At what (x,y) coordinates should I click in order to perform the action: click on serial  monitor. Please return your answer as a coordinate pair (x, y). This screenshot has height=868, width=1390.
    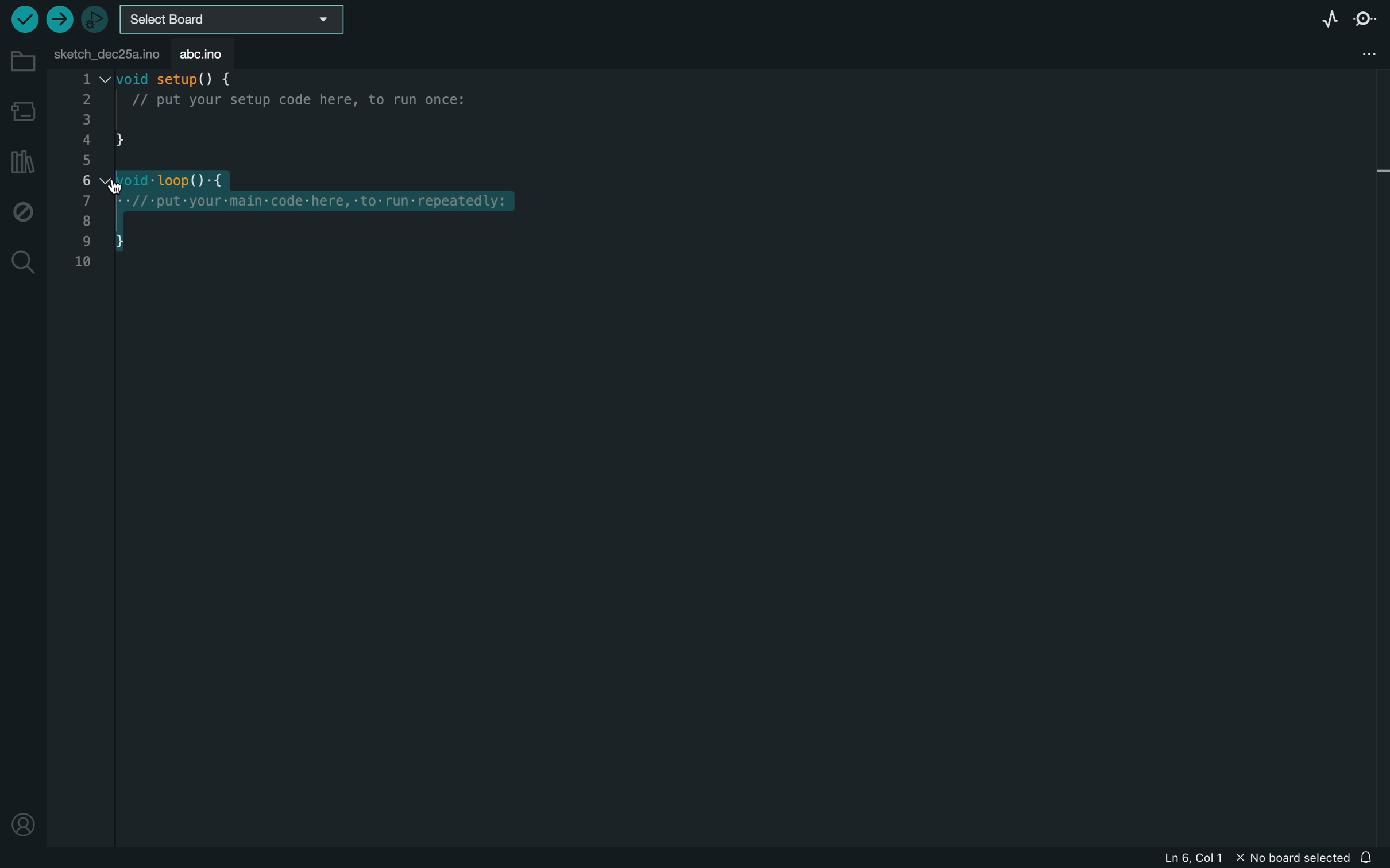
    Looking at the image, I should click on (1368, 21).